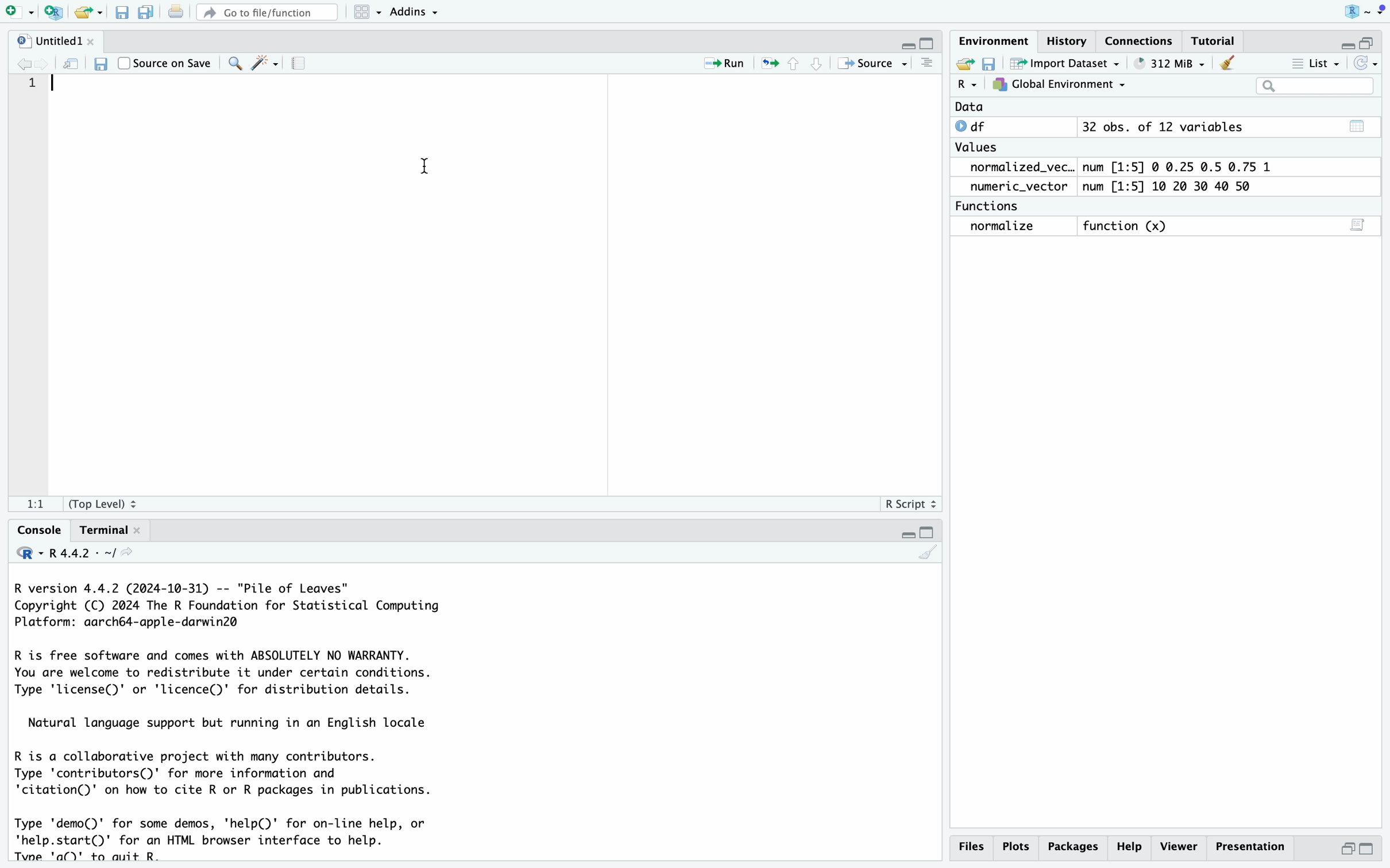  I want to click on workspaces, so click(363, 10).